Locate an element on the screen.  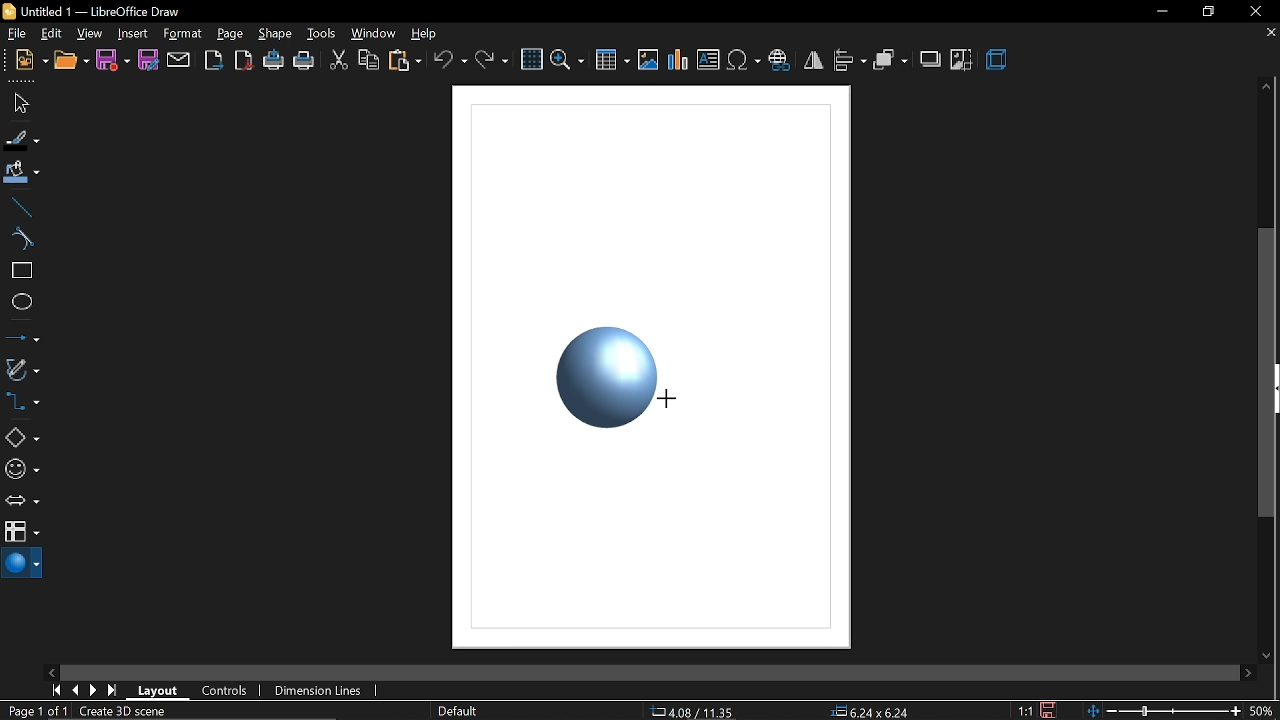
flip is located at coordinates (814, 60).